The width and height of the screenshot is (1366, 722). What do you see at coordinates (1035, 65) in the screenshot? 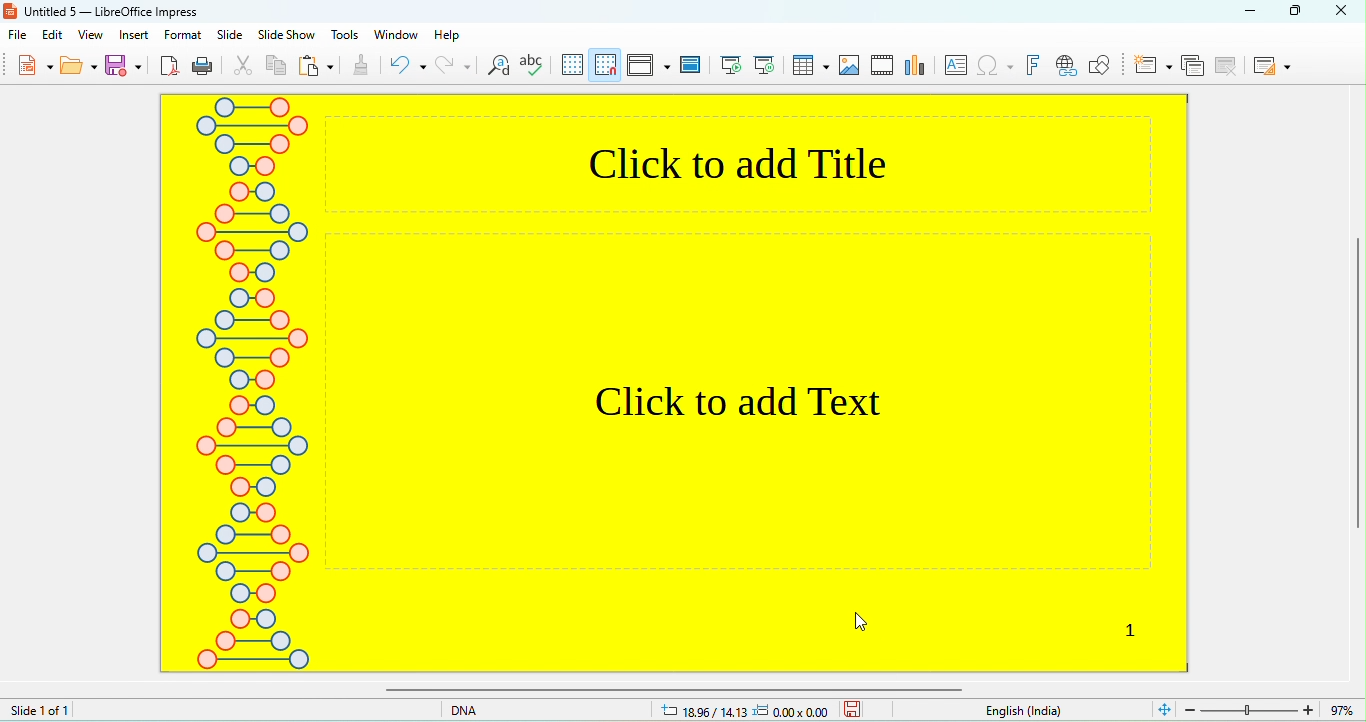
I see `fontwork text` at bounding box center [1035, 65].